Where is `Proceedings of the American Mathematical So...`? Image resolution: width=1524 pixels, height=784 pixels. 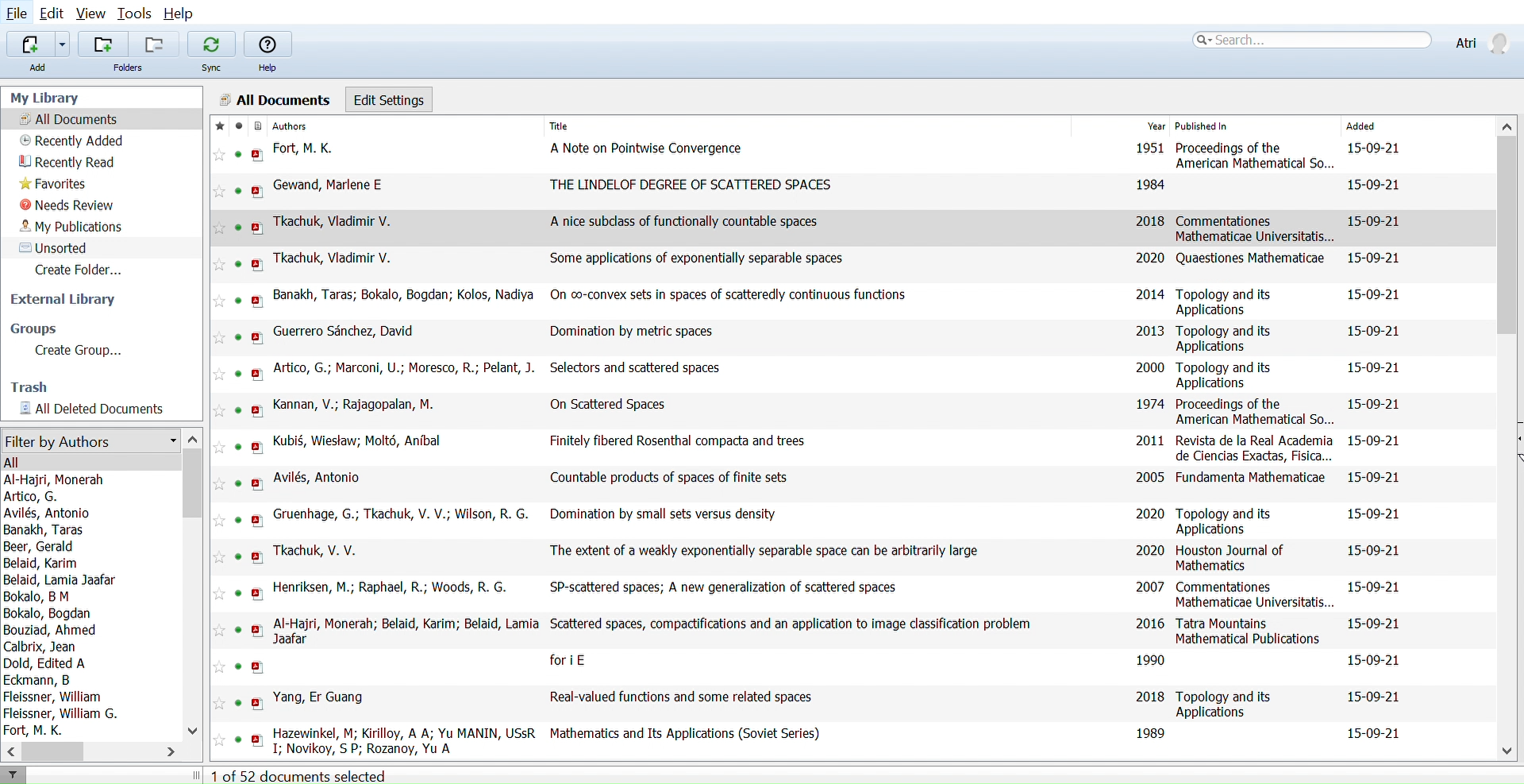
Proceedings of the American Mathematical So... is located at coordinates (1255, 412).